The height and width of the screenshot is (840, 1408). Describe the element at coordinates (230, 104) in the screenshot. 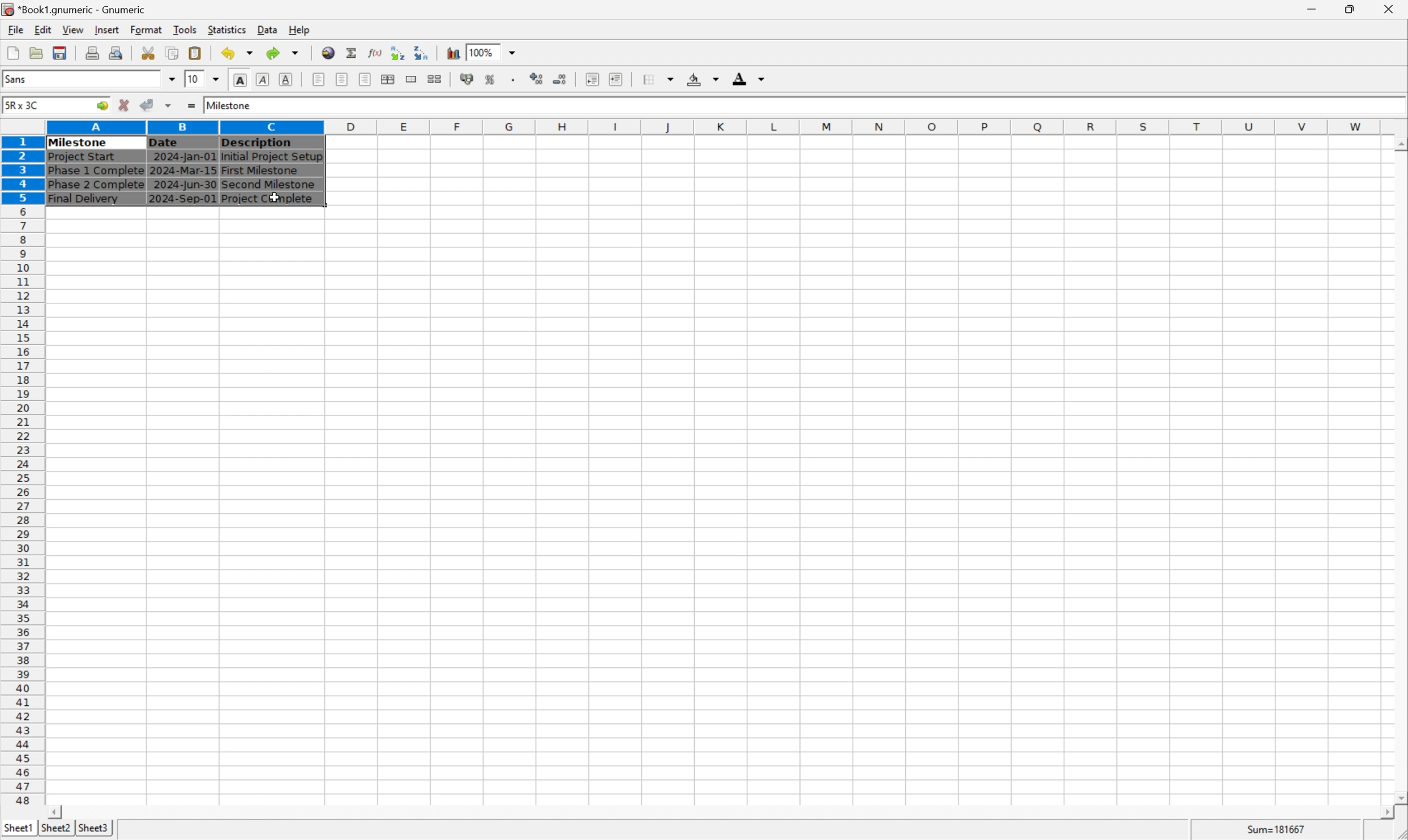

I see `Milestone` at that location.